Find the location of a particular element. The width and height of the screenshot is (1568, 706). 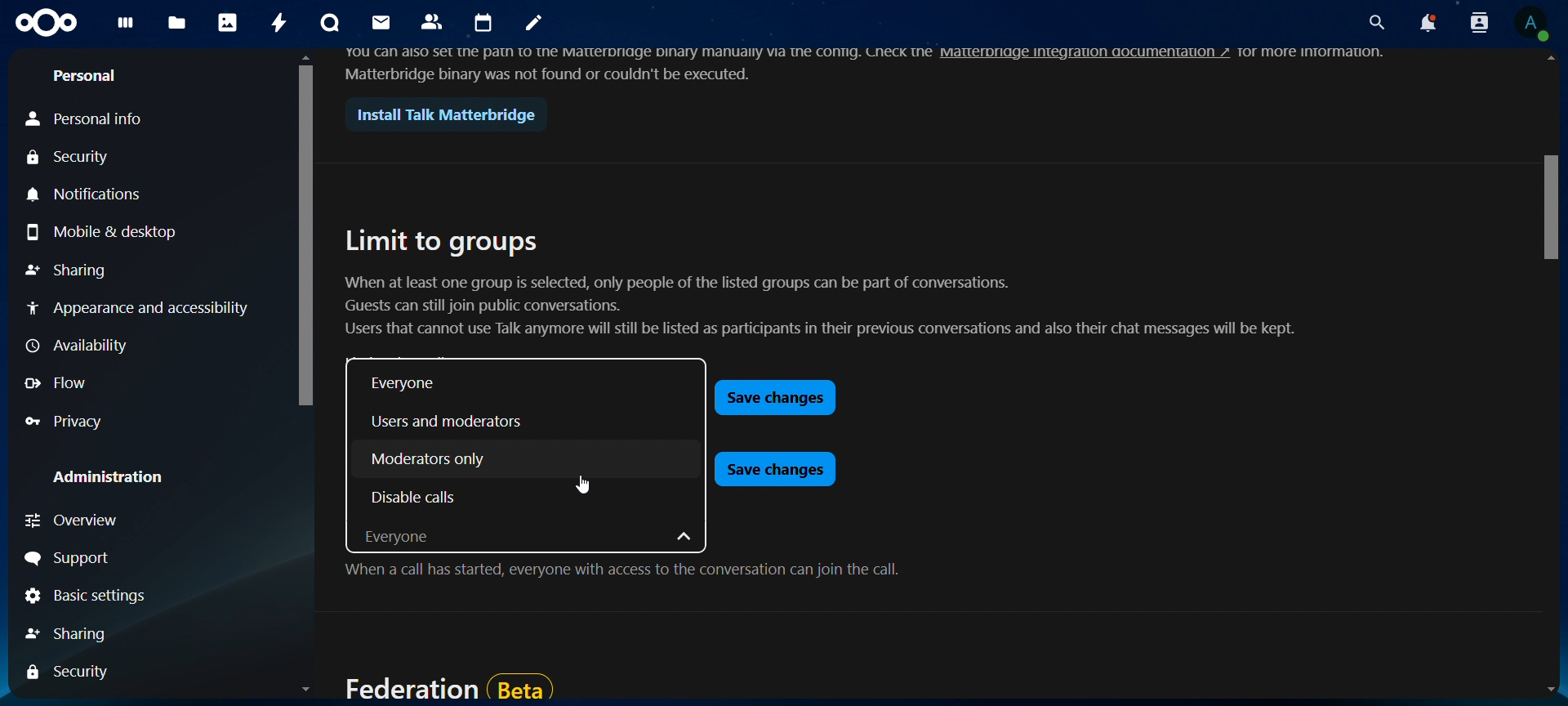

calendar is located at coordinates (484, 23).